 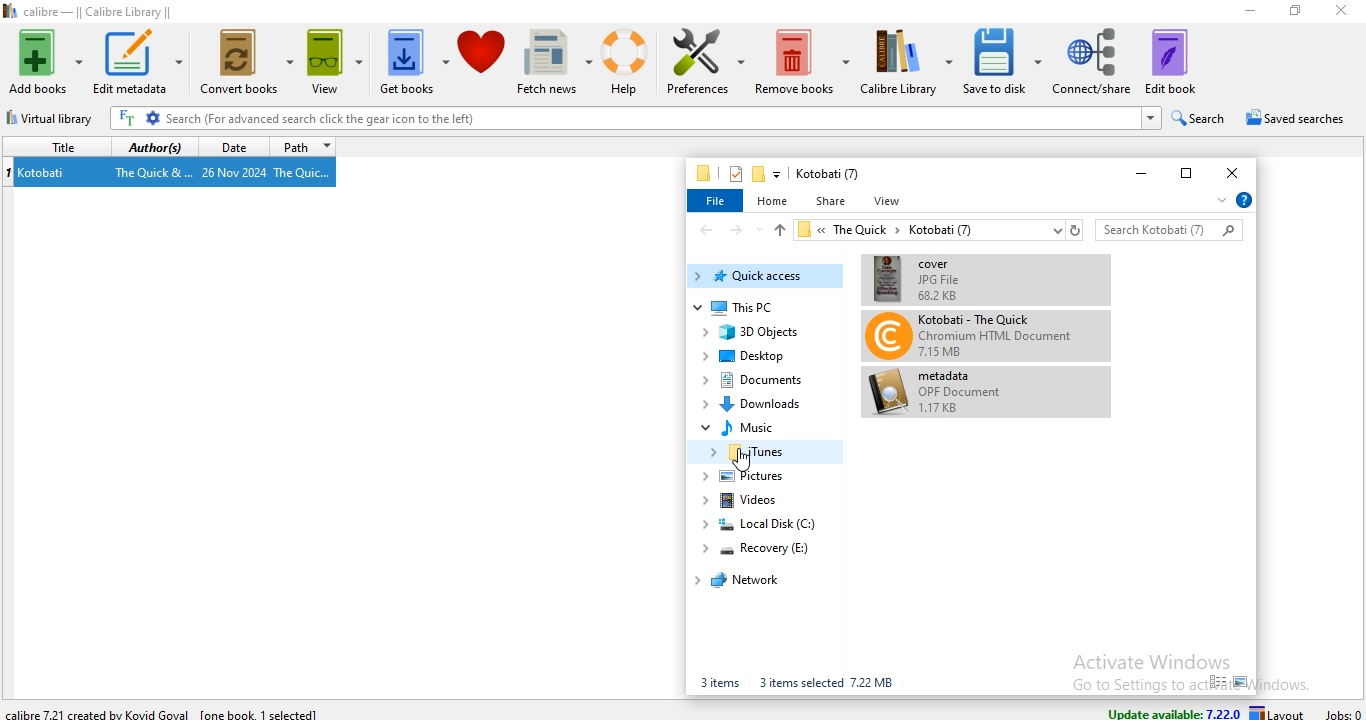 What do you see at coordinates (307, 173) in the screenshot?
I see `The Quic...` at bounding box center [307, 173].